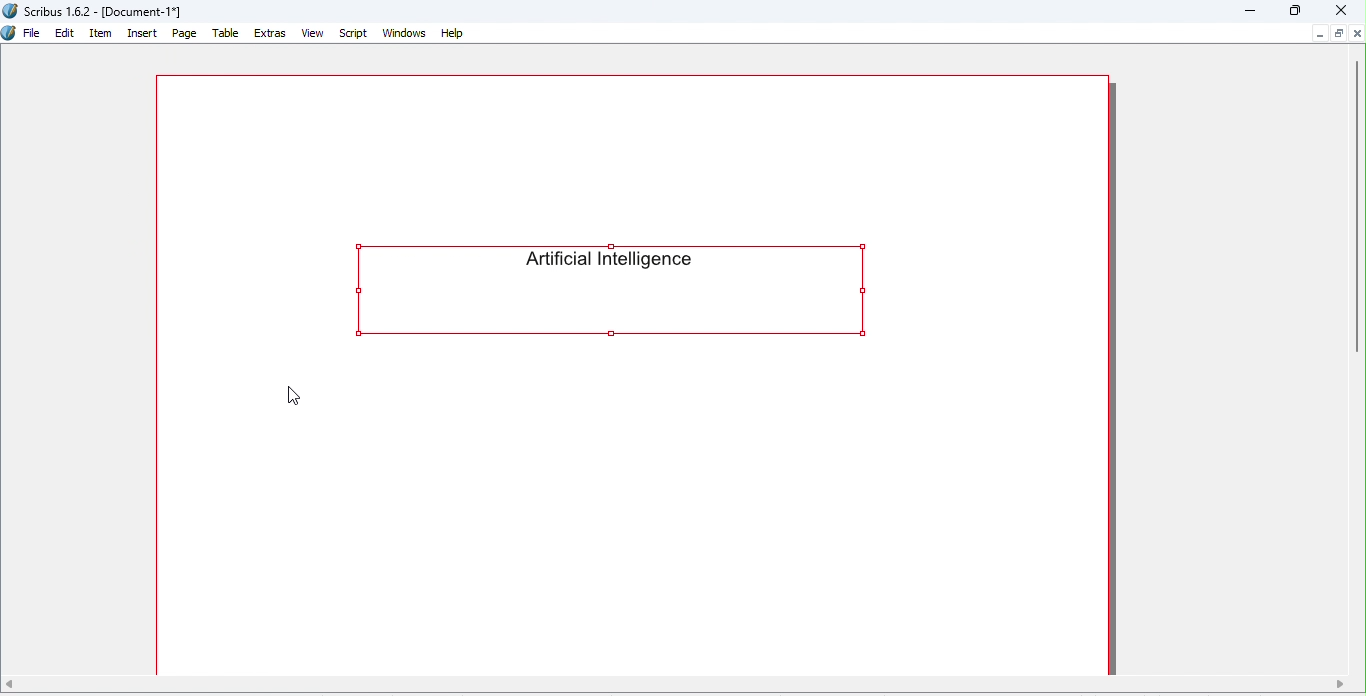 The width and height of the screenshot is (1366, 696). Describe the element at coordinates (271, 35) in the screenshot. I see `Extras` at that location.